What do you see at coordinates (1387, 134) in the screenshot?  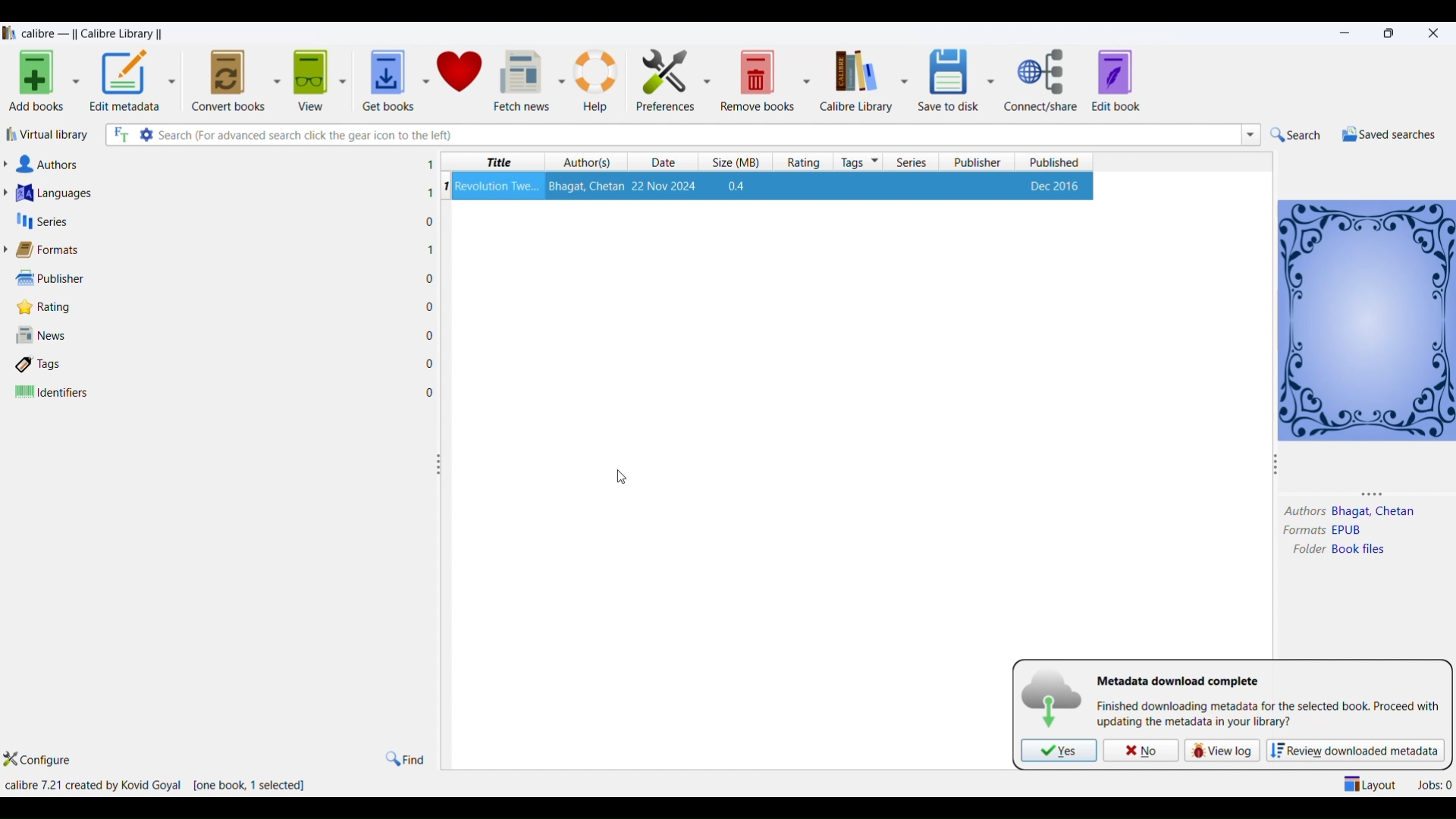 I see `saved searches` at bounding box center [1387, 134].